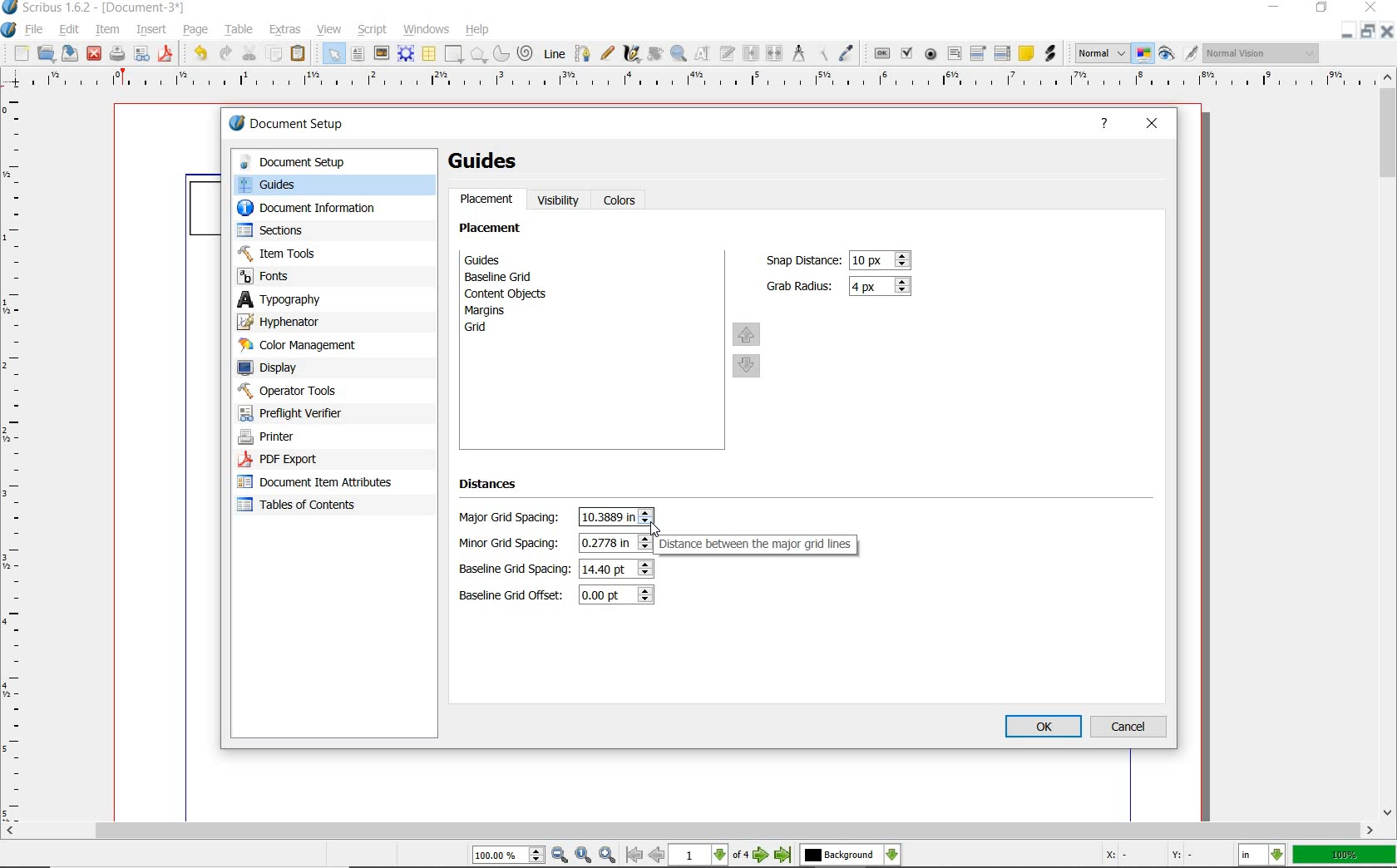 The height and width of the screenshot is (868, 1397). Describe the element at coordinates (198, 54) in the screenshot. I see `undo` at that location.